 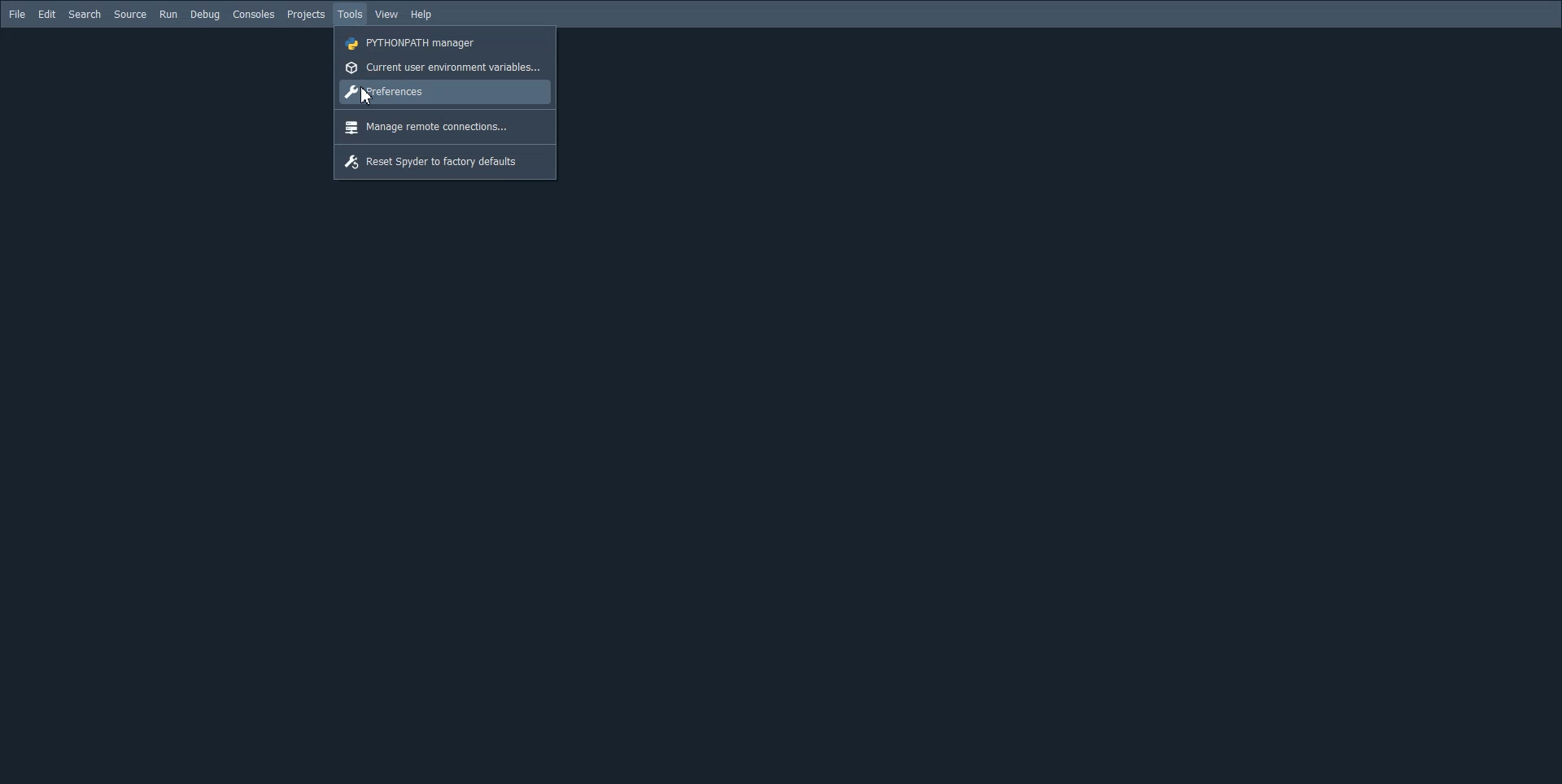 I want to click on Current user environment variable, so click(x=442, y=68).